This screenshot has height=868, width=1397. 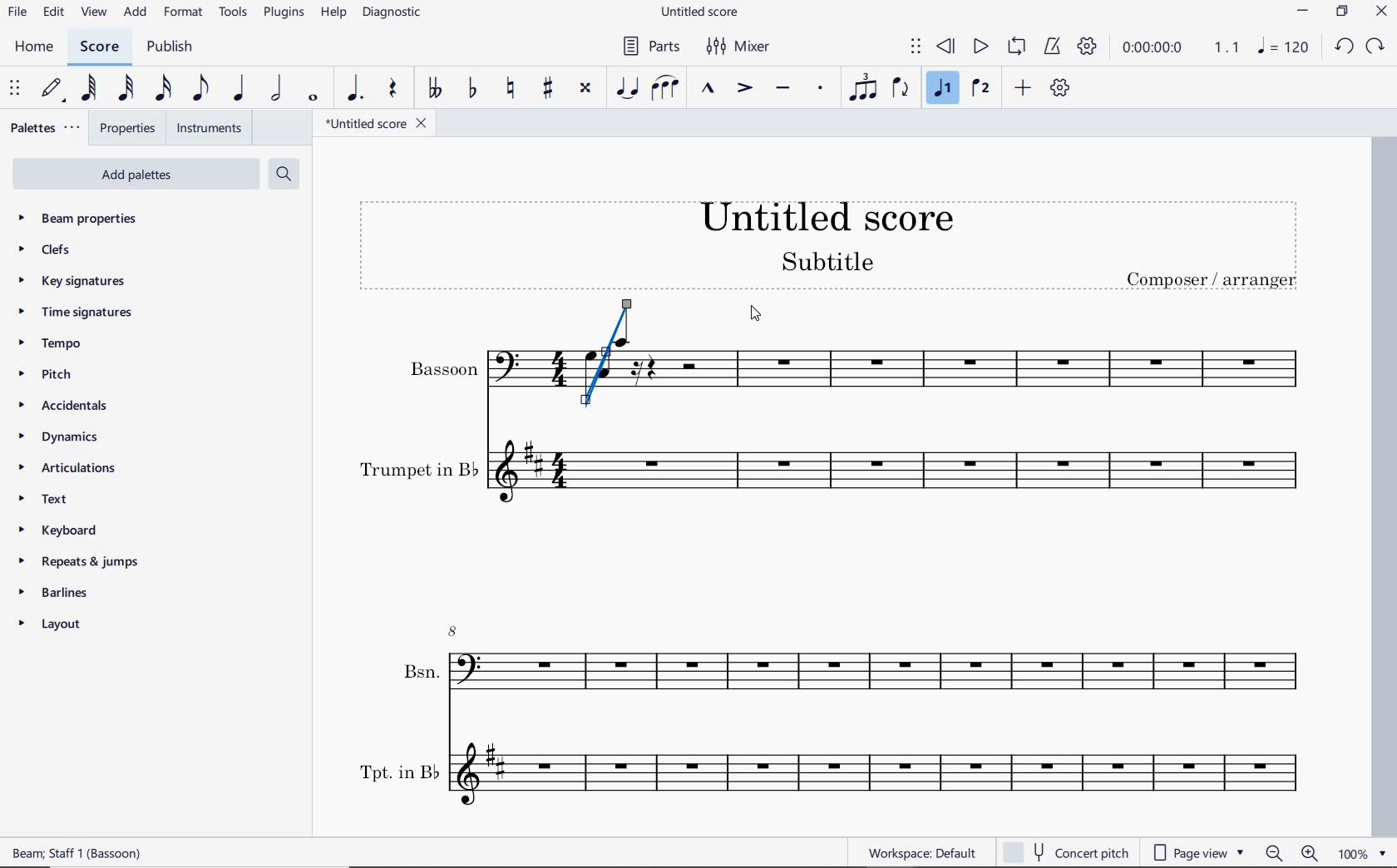 What do you see at coordinates (459, 367) in the screenshot?
I see `Bassoon` at bounding box center [459, 367].